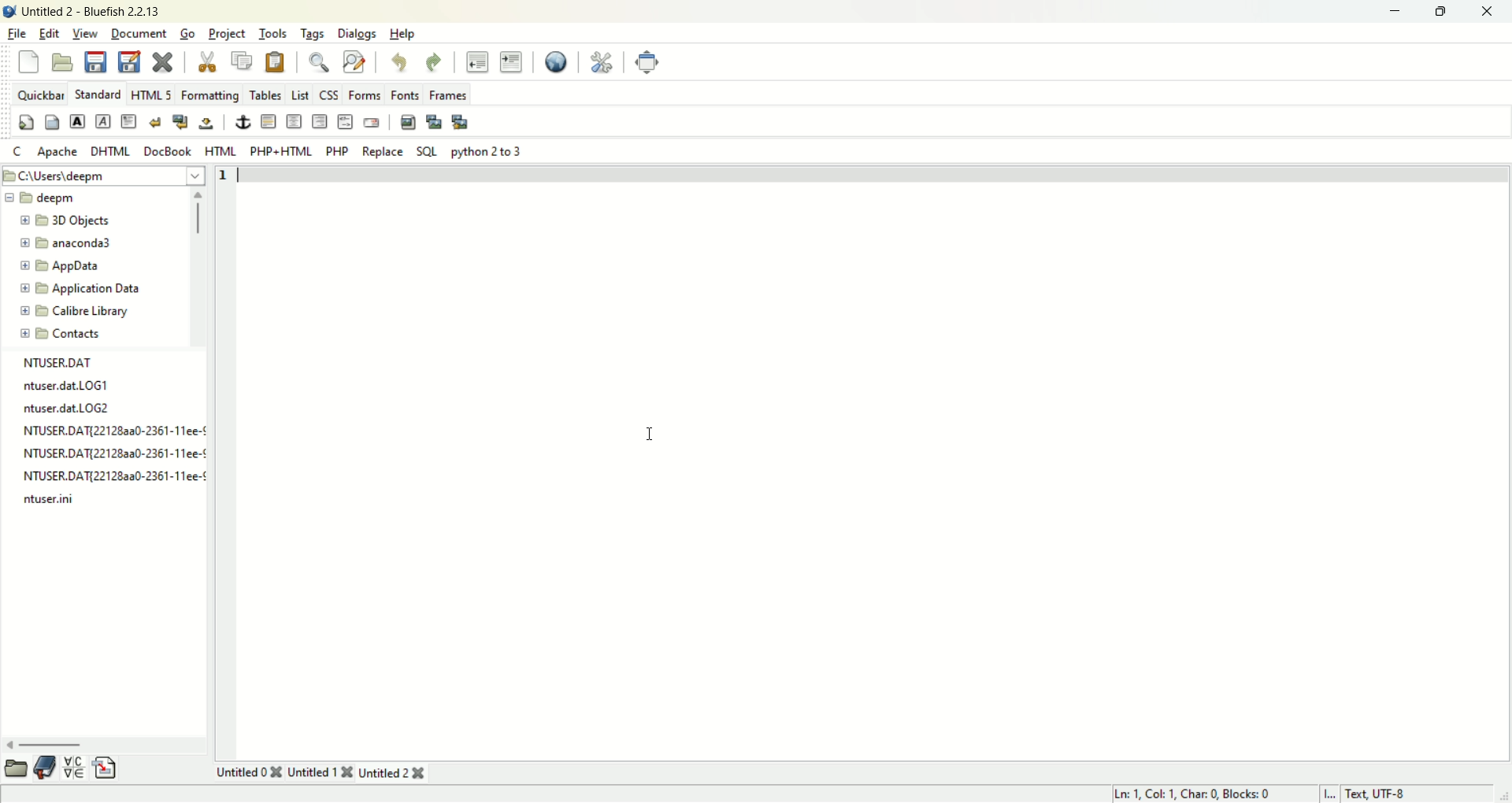 Image resolution: width=1512 pixels, height=803 pixels. I want to click on close current file, so click(161, 61).